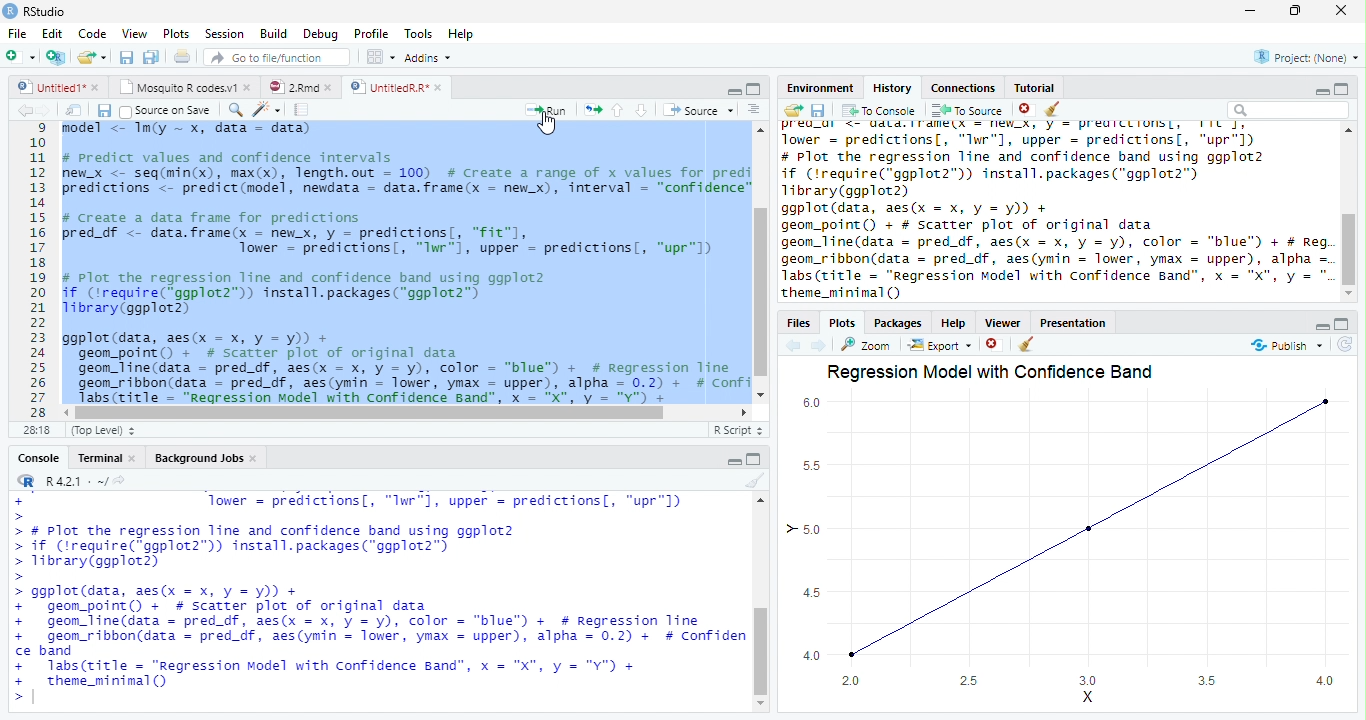 Image resolution: width=1366 pixels, height=720 pixels. I want to click on Search, so click(1291, 110).